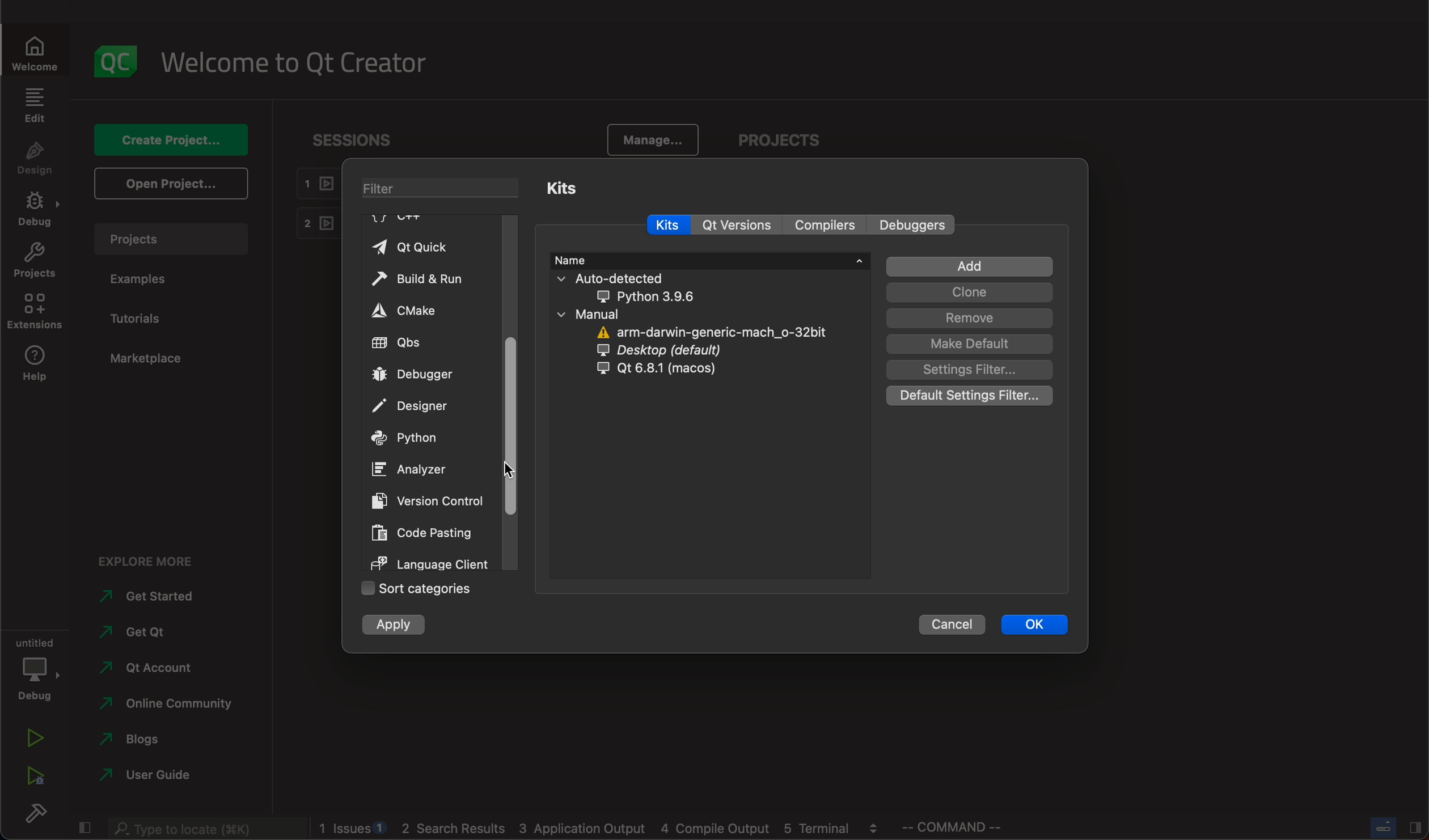  I want to click on edit, so click(33, 106).